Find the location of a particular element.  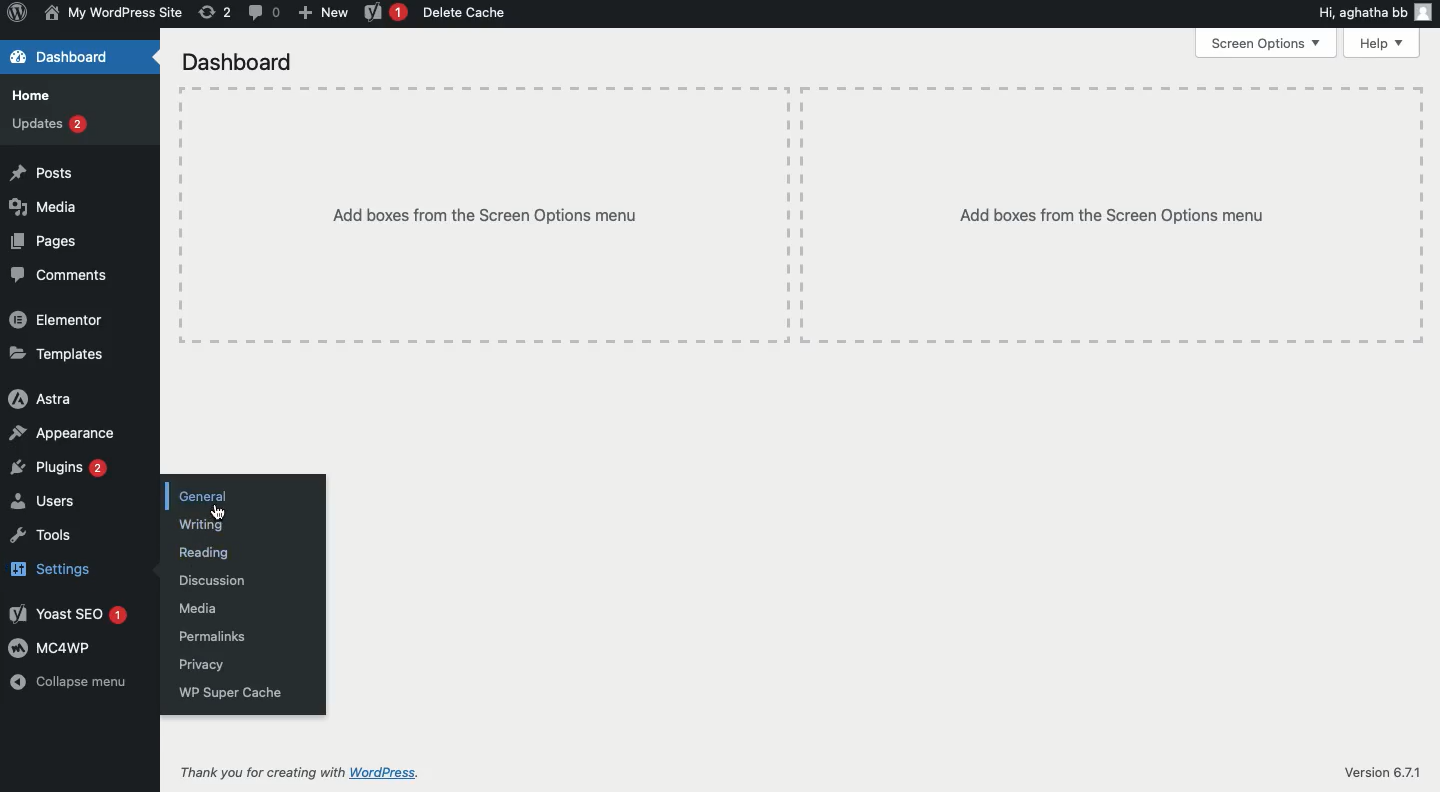

MC4WP is located at coordinates (49, 649).